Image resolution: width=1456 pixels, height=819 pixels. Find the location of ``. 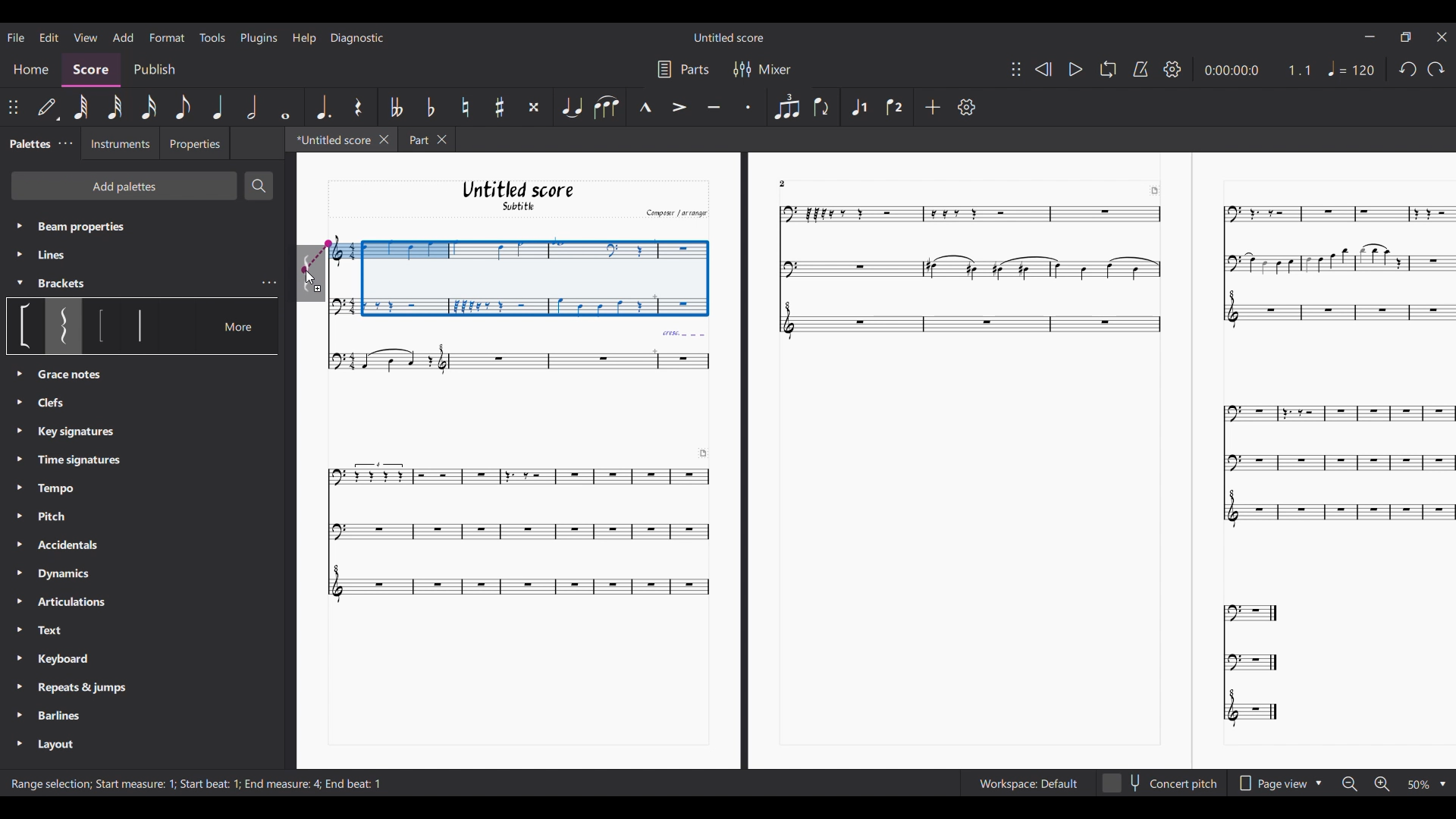

 is located at coordinates (23, 687).